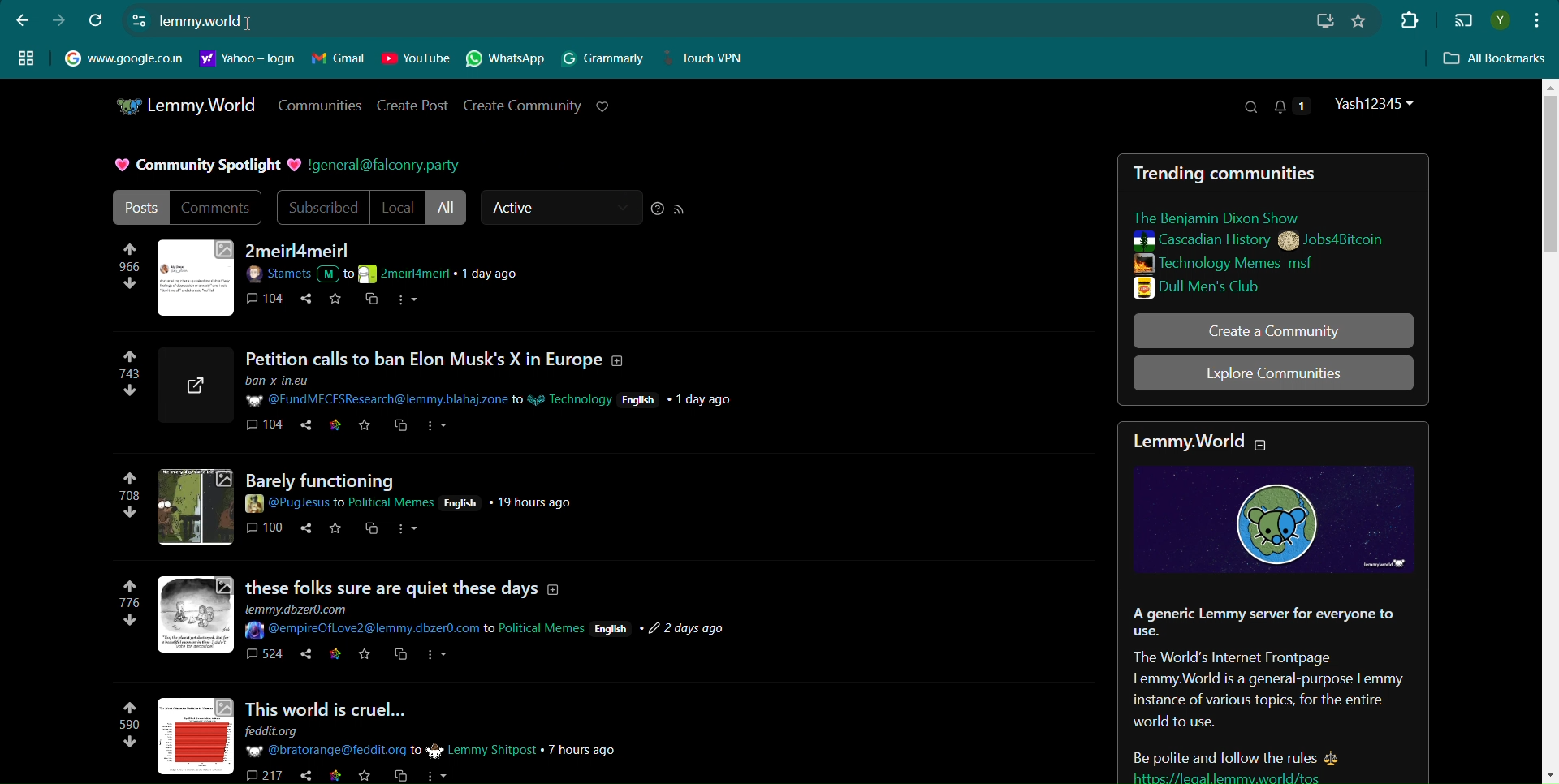 This screenshot has height=784, width=1559. What do you see at coordinates (97, 19) in the screenshot?
I see `Refresh` at bounding box center [97, 19].